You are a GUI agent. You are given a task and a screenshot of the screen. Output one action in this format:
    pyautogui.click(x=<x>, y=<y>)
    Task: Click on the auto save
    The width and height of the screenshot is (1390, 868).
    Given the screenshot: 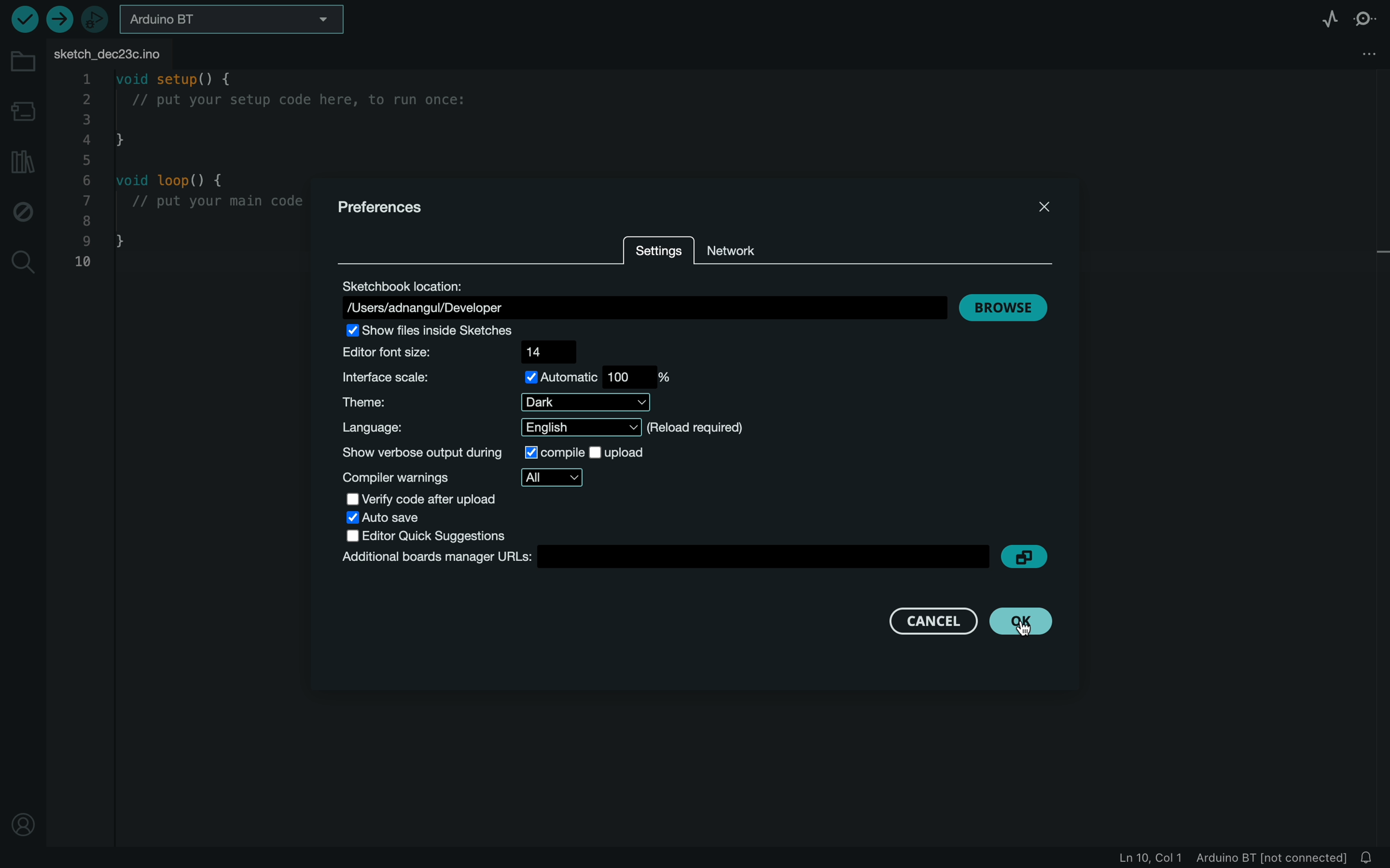 What is the action you would take?
    pyautogui.click(x=386, y=517)
    